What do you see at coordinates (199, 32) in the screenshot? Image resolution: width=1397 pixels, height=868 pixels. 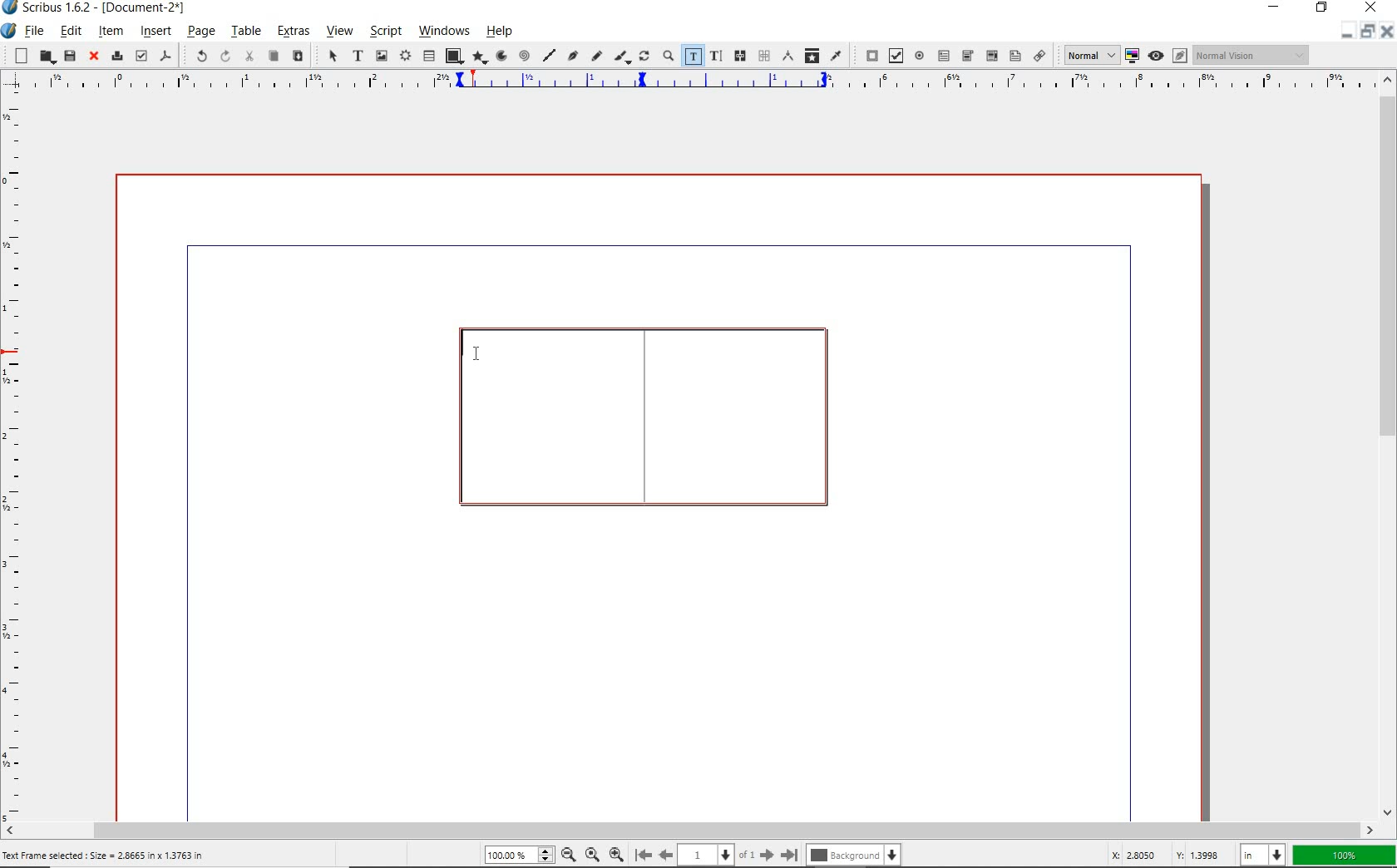 I see `page` at bounding box center [199, 32].